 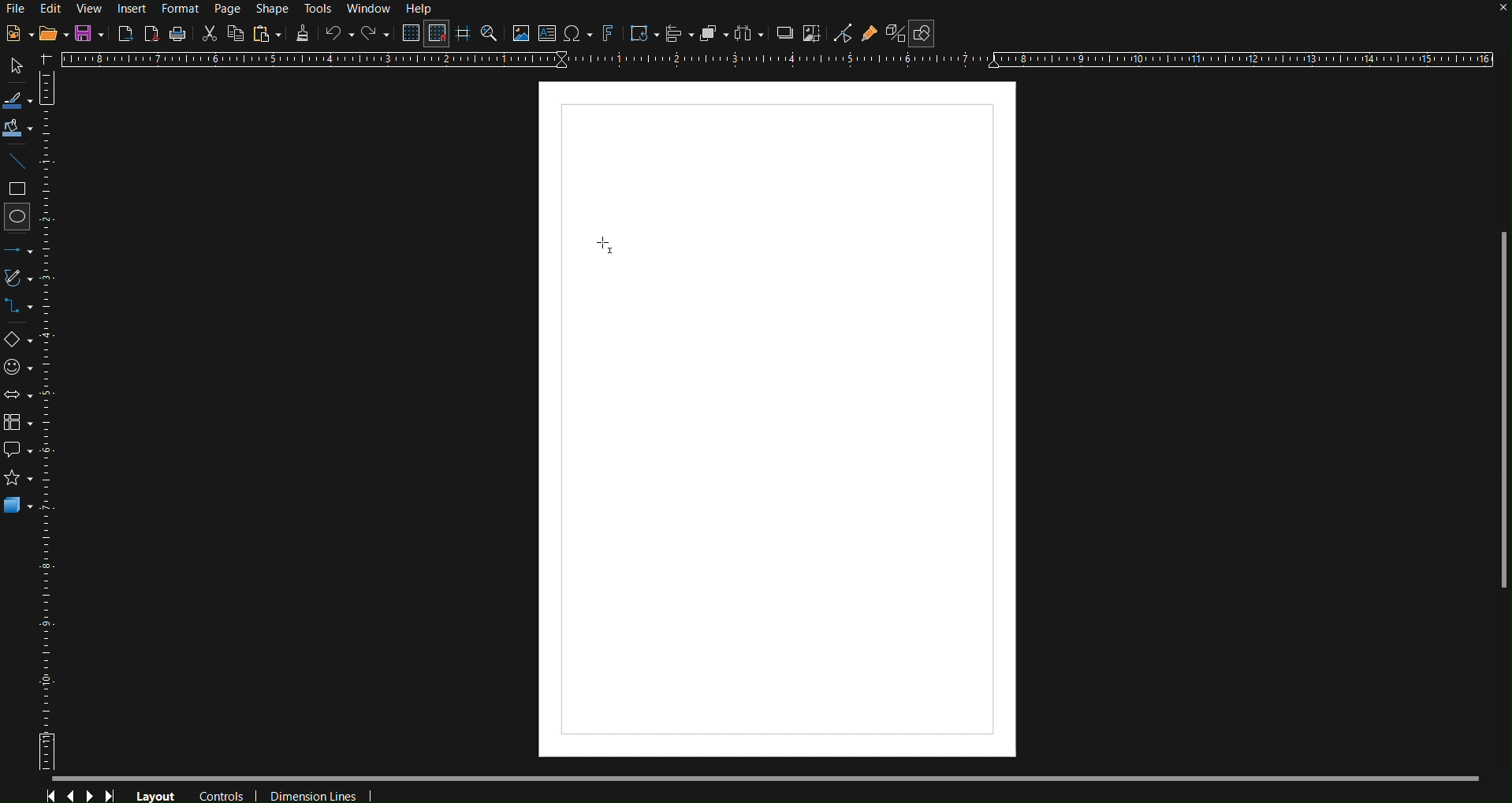 I want to click on Insert Fontworks, so click(x=608, y=35).